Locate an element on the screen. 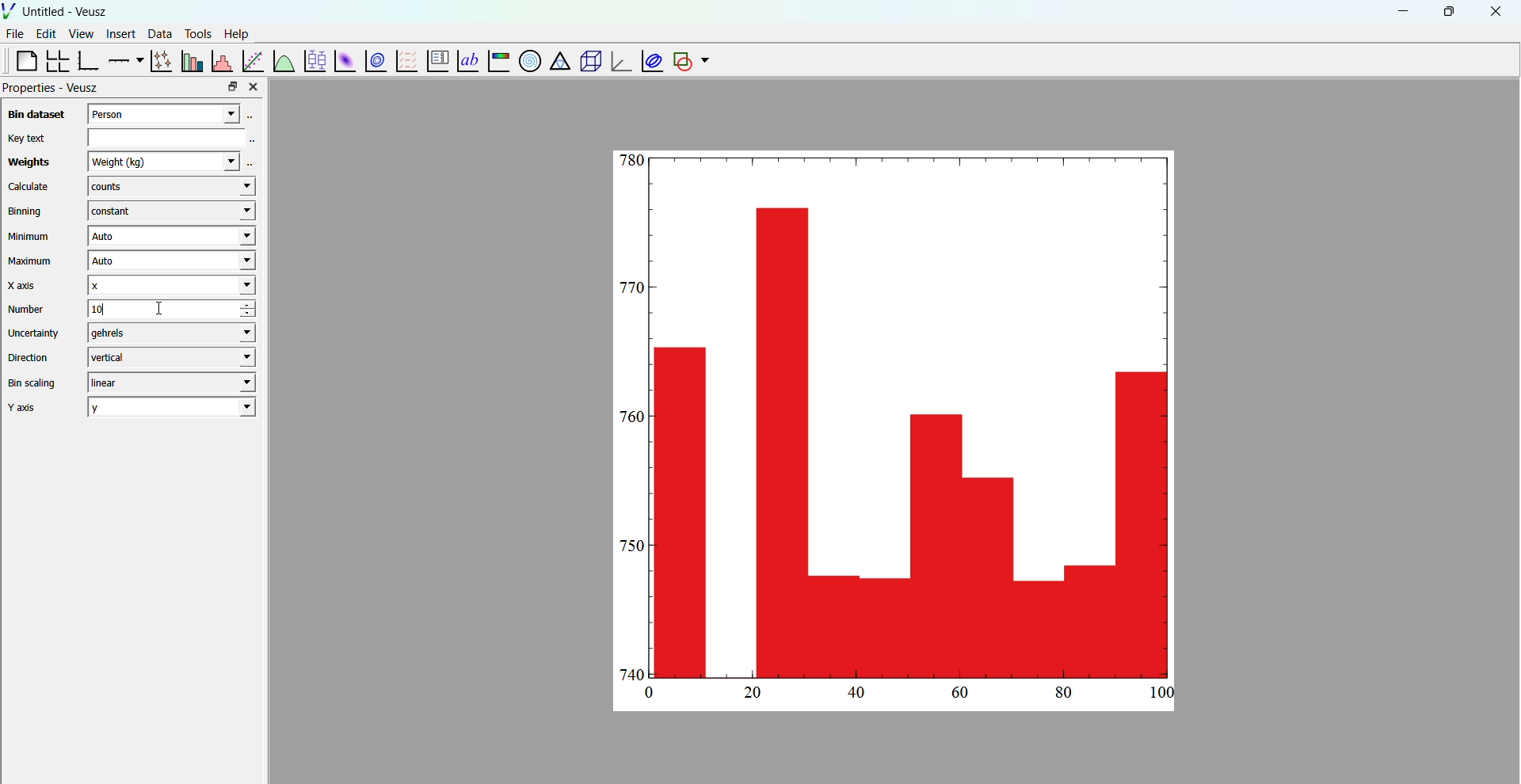 Image resolution: width=1521 pixels, height=784 pixels. tools is located at coordinates (196, 33).